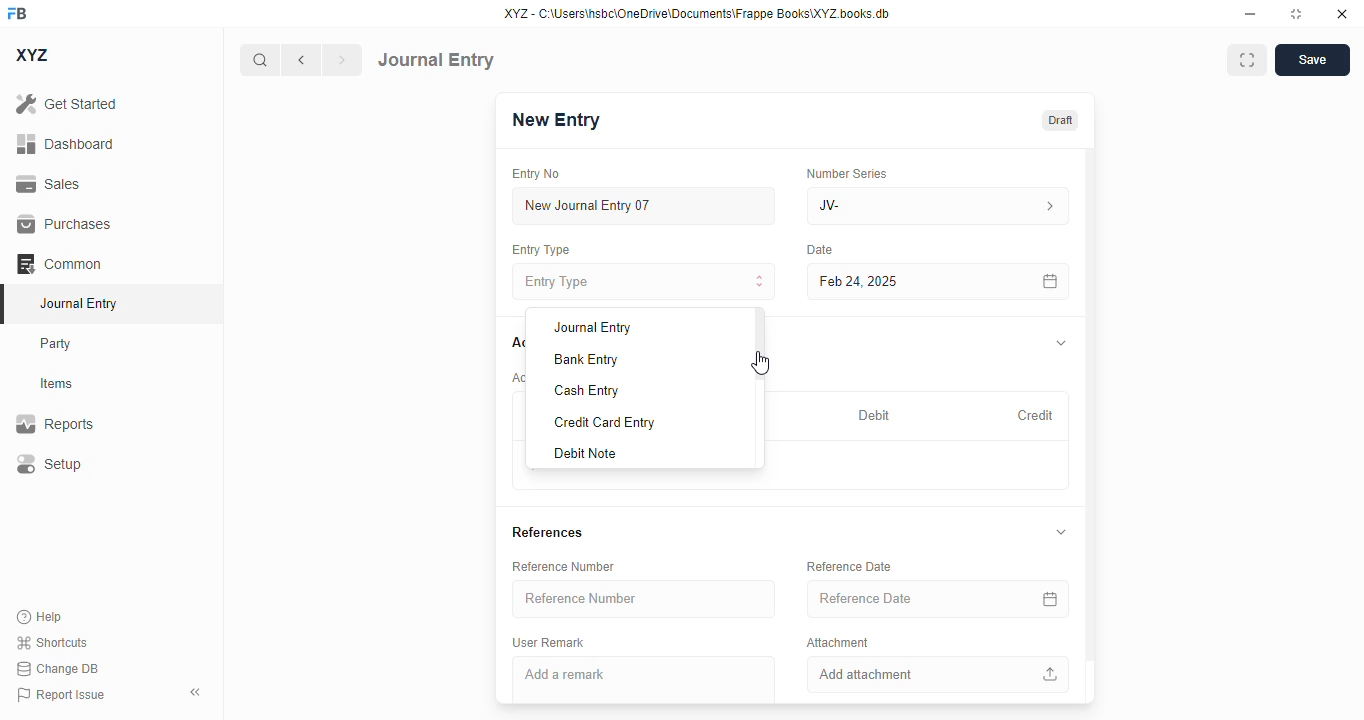 The image size is (1364, 720). What do you see at coordinates (197, 692) in the screenshot?
I see `toggle sidebar` at bounding box center [197, 692].